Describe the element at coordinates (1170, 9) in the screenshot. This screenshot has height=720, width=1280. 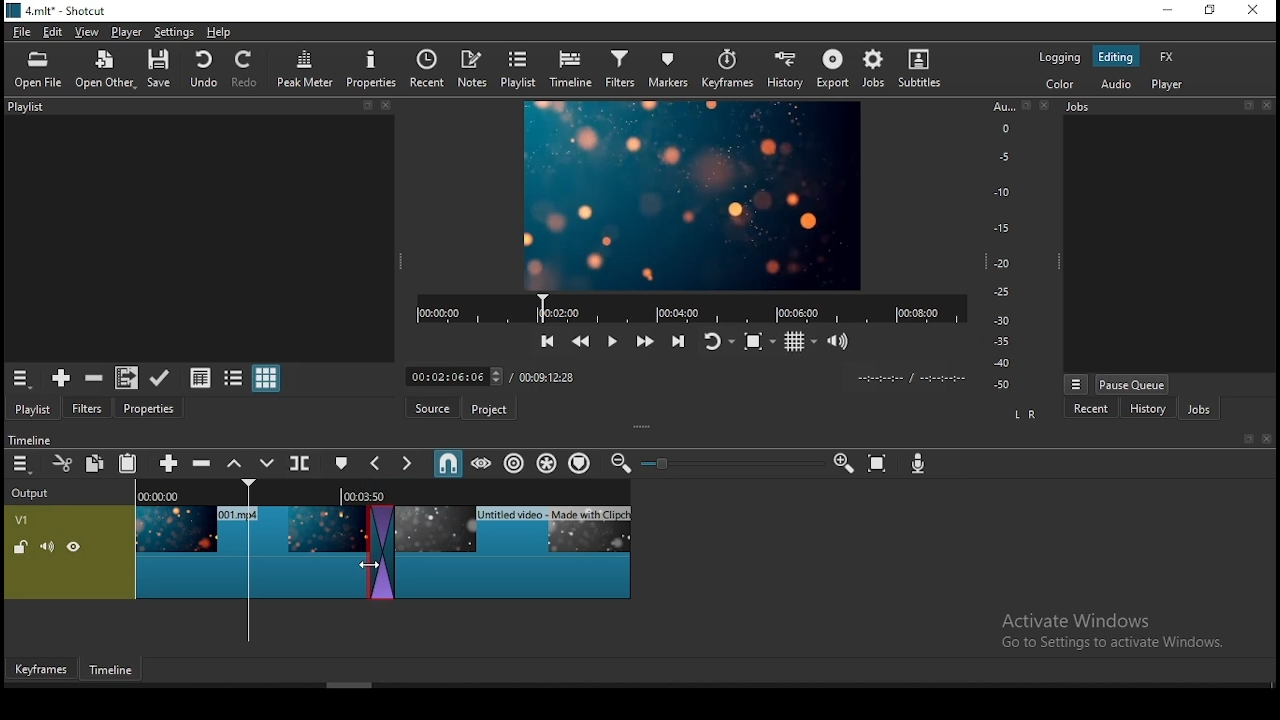
I see `minimize` at that location.